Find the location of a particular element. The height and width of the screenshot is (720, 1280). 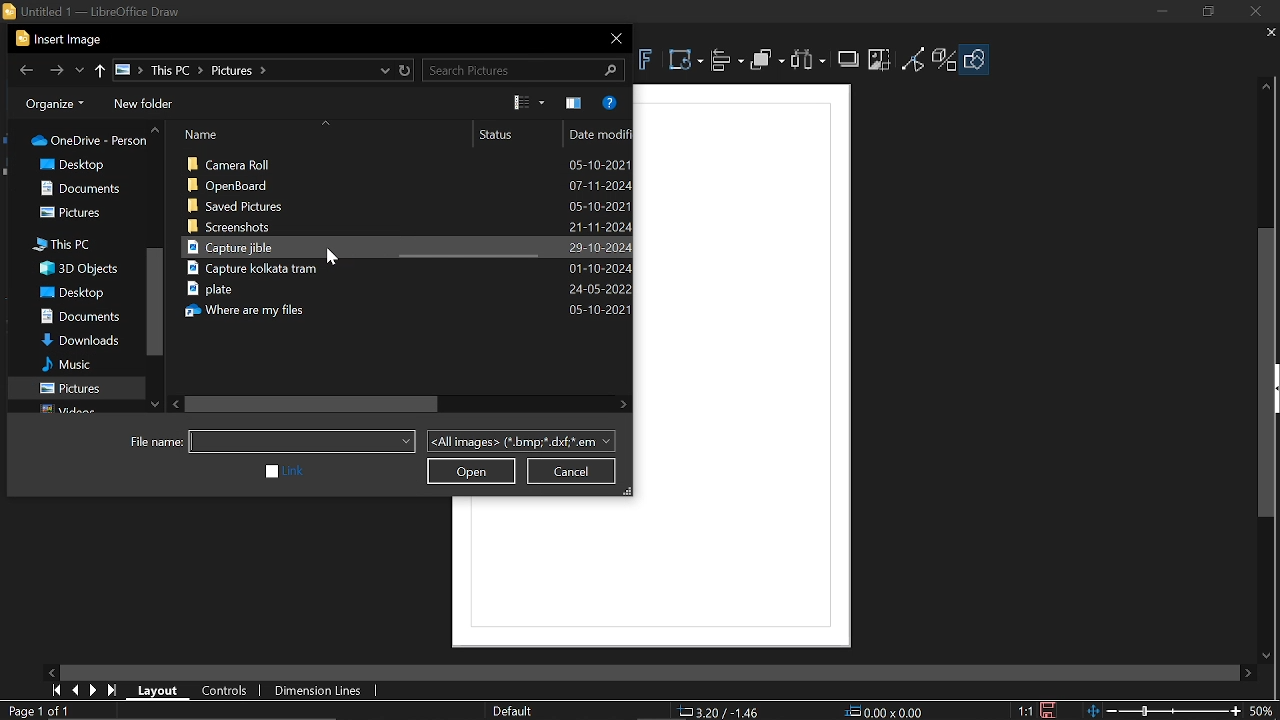

Move up is located at coordinates (1266, 90).